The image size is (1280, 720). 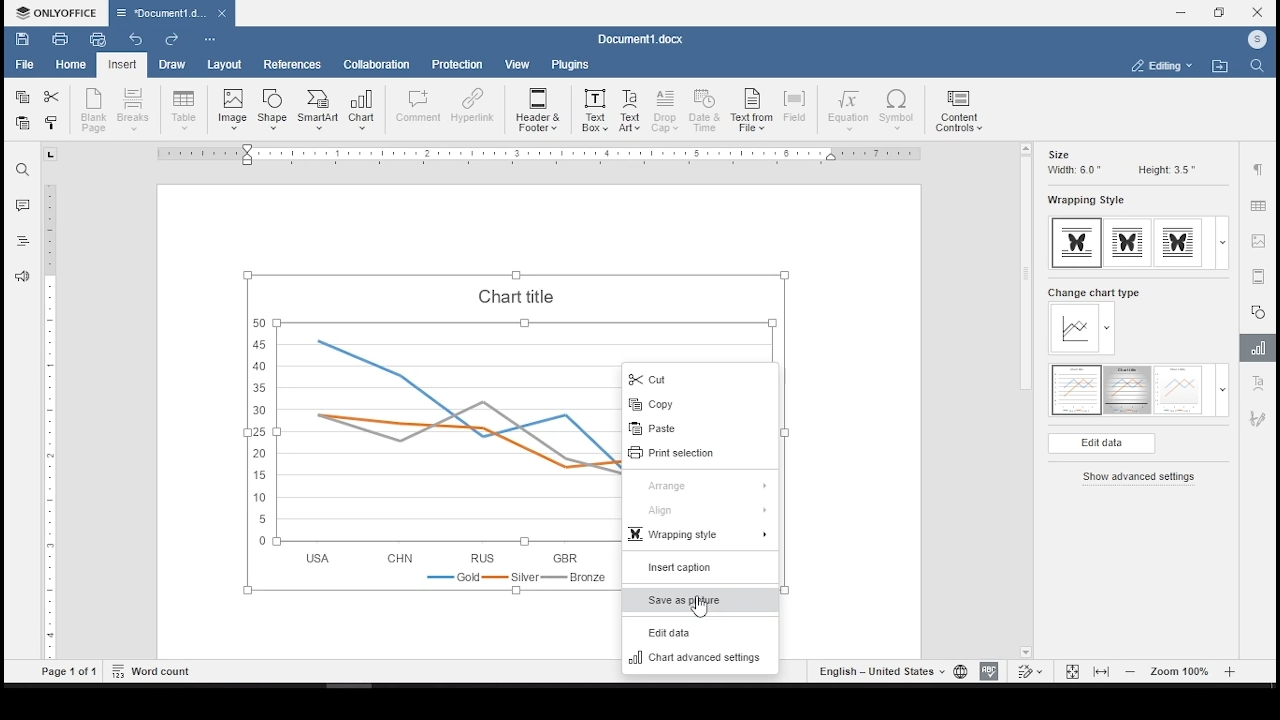 I want to click on ONLYOFFICE, so click(x=56, y=11).